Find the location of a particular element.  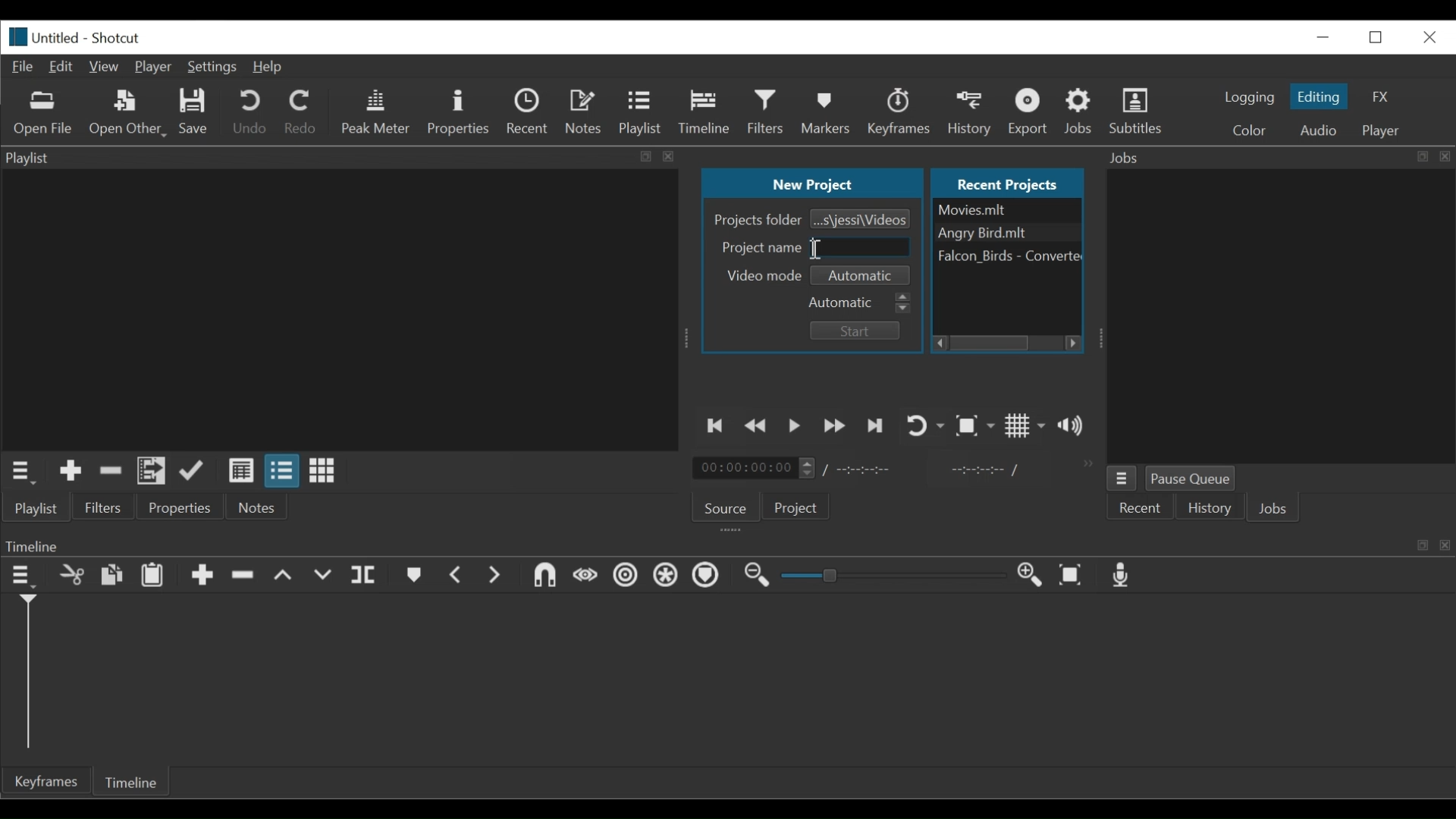

Scrub while dragging is located at coordinates (585, 577).